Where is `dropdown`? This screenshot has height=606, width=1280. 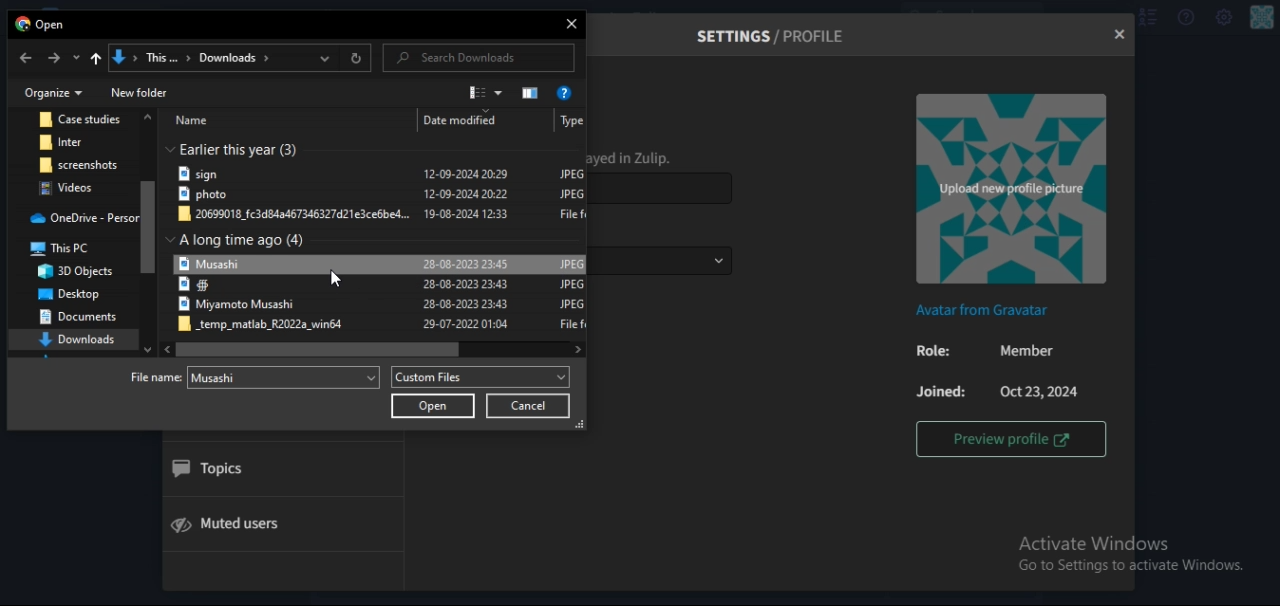 dropdown is located at coordinates (328, 59).